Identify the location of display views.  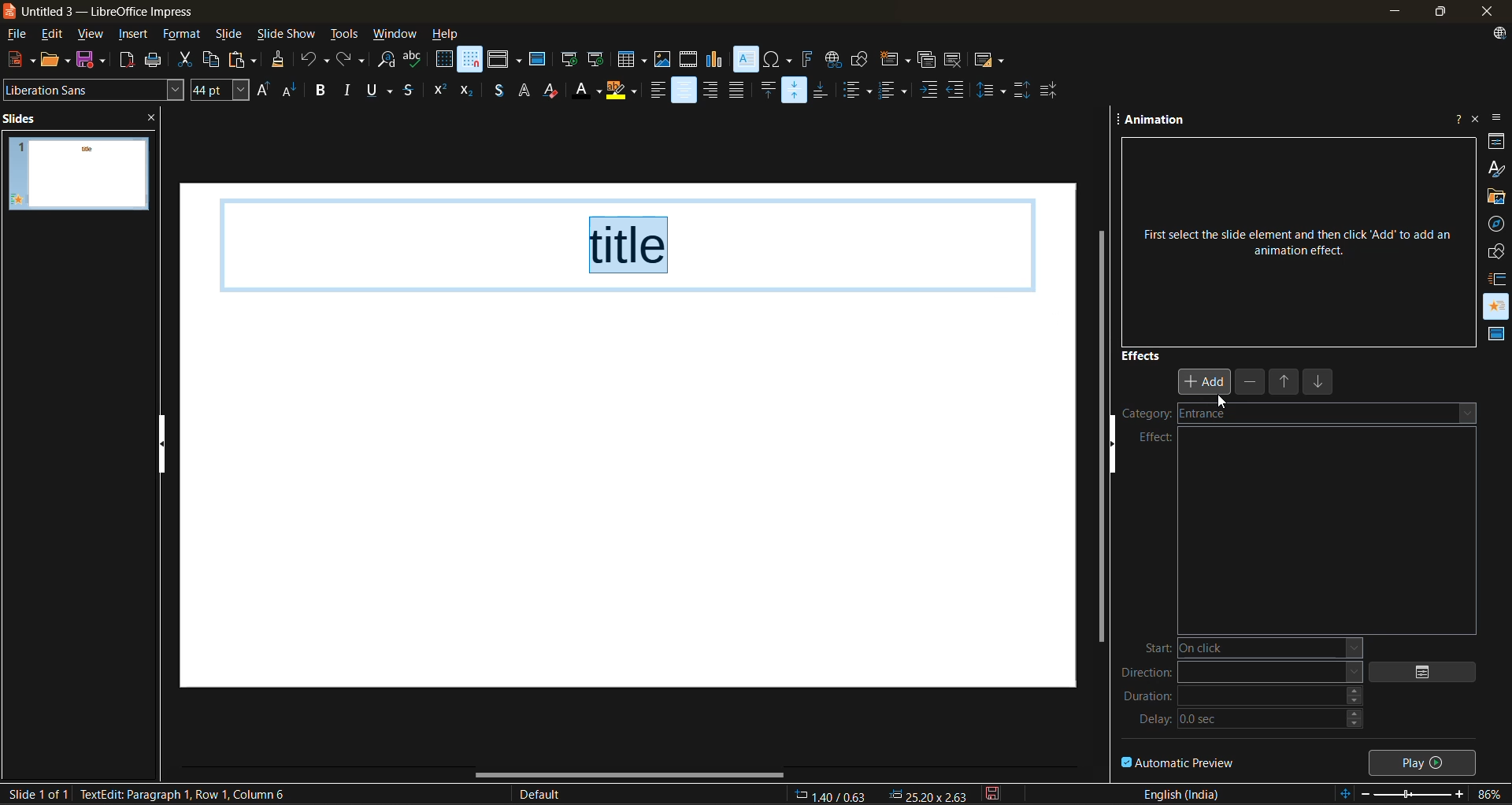
(505, 59).